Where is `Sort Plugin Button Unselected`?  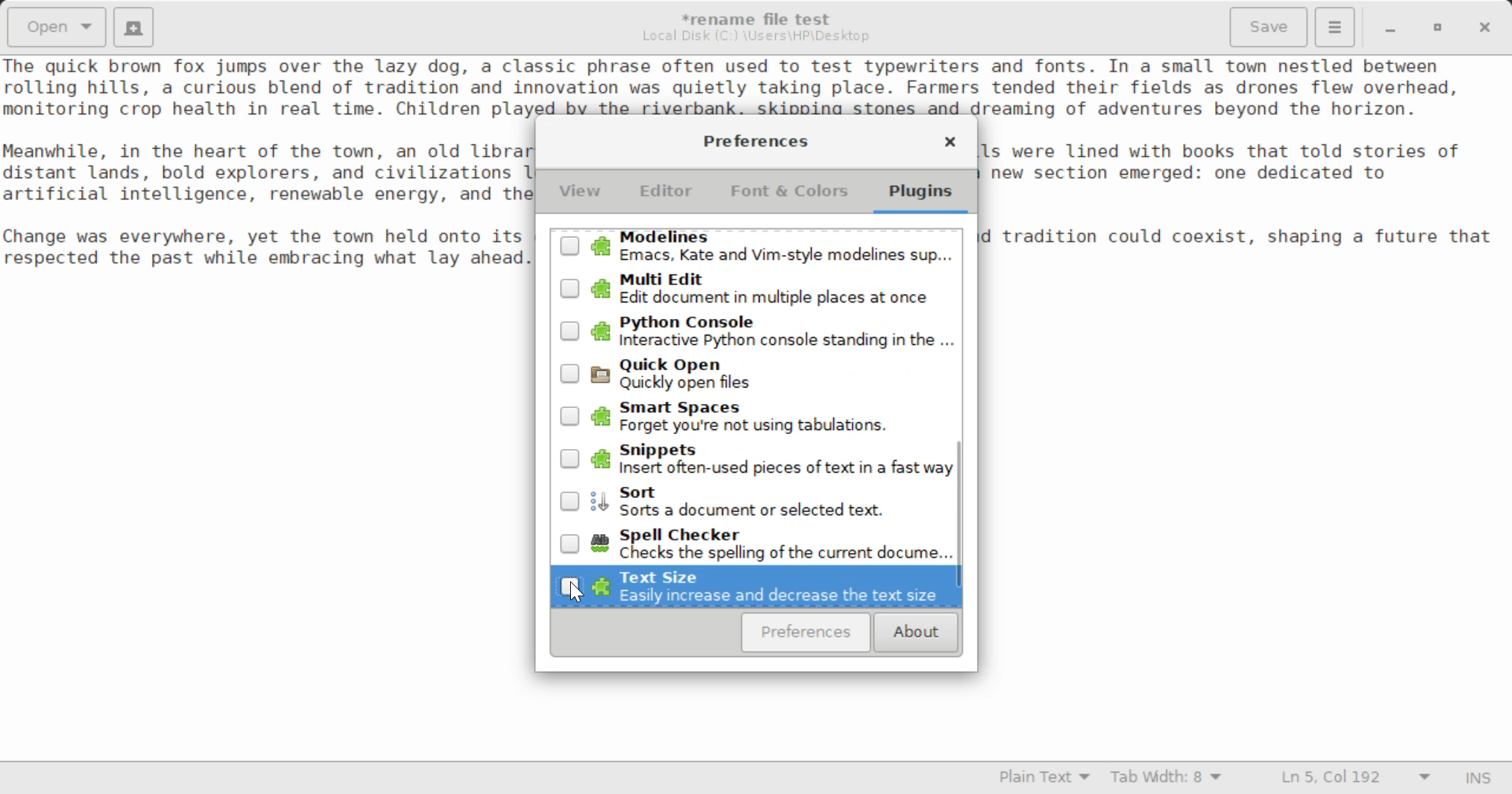
Sort Plugin Button Unselected is located at coordinates (758, 503).